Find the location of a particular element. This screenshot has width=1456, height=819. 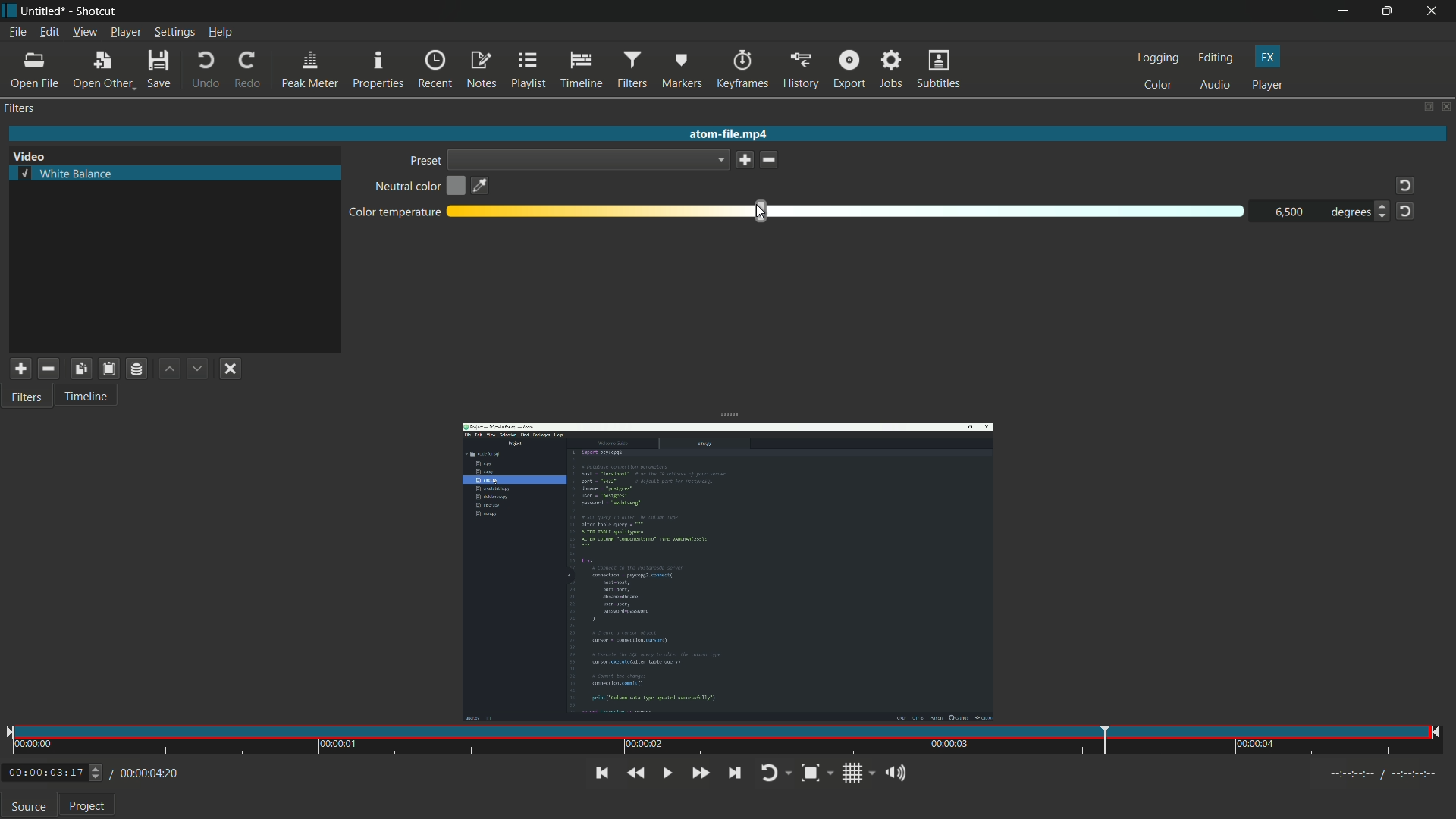

delete is located at coordinates (770, 160).